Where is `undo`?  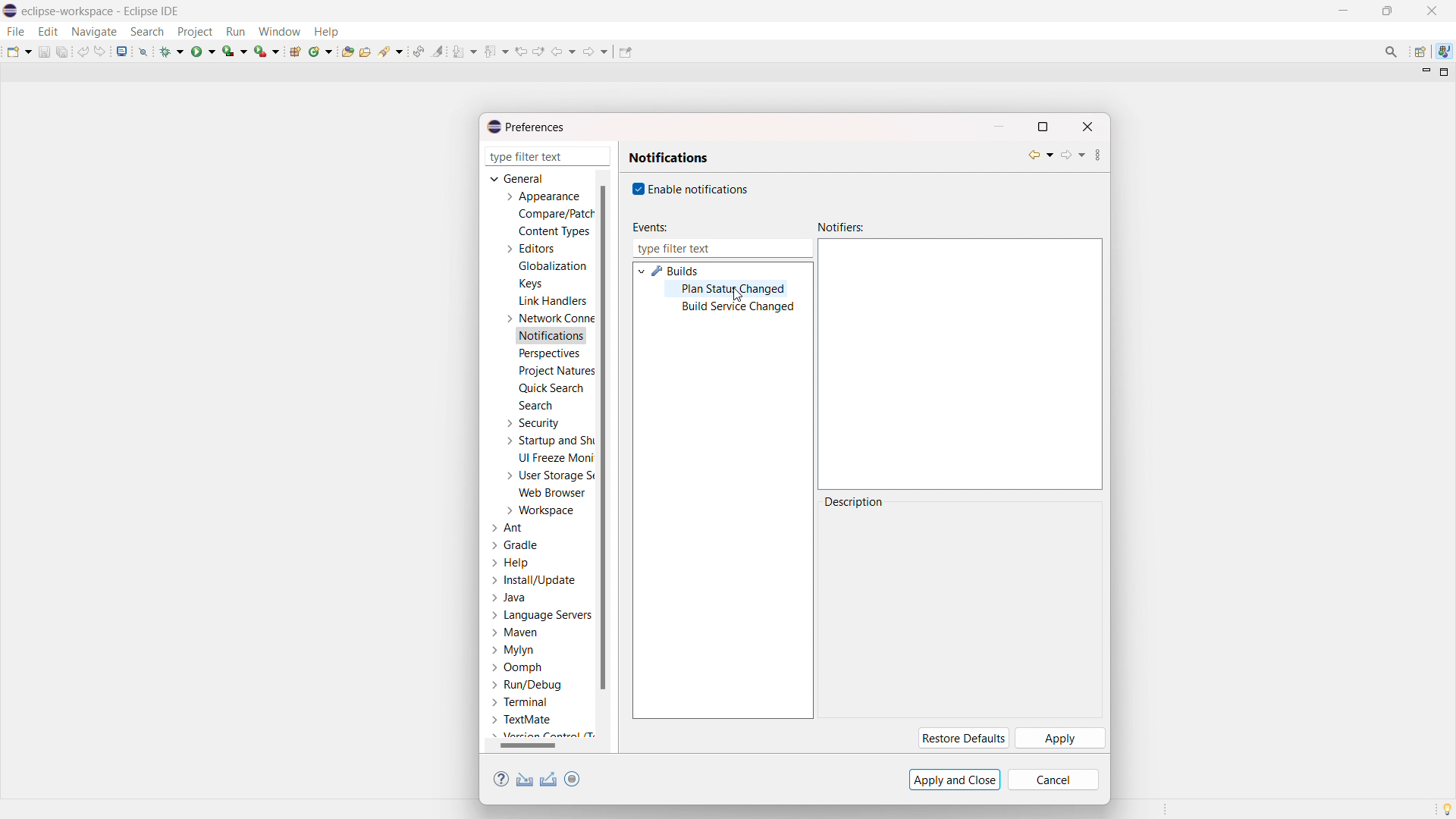 undo is located at coordinates (83, 52).